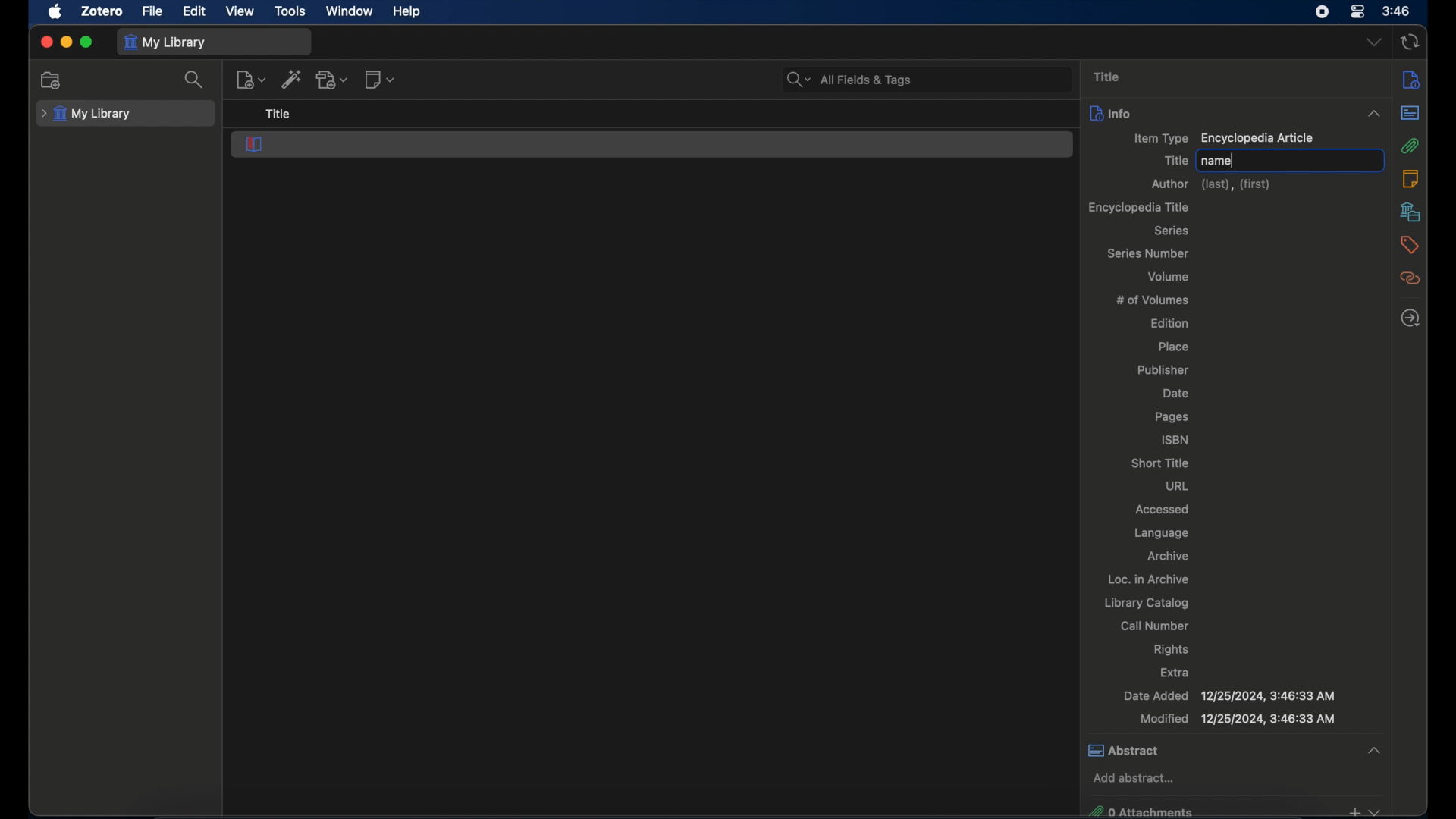  Describe the element at coordinates (1169, 276) in the screenshot. I see `volume` at that location.